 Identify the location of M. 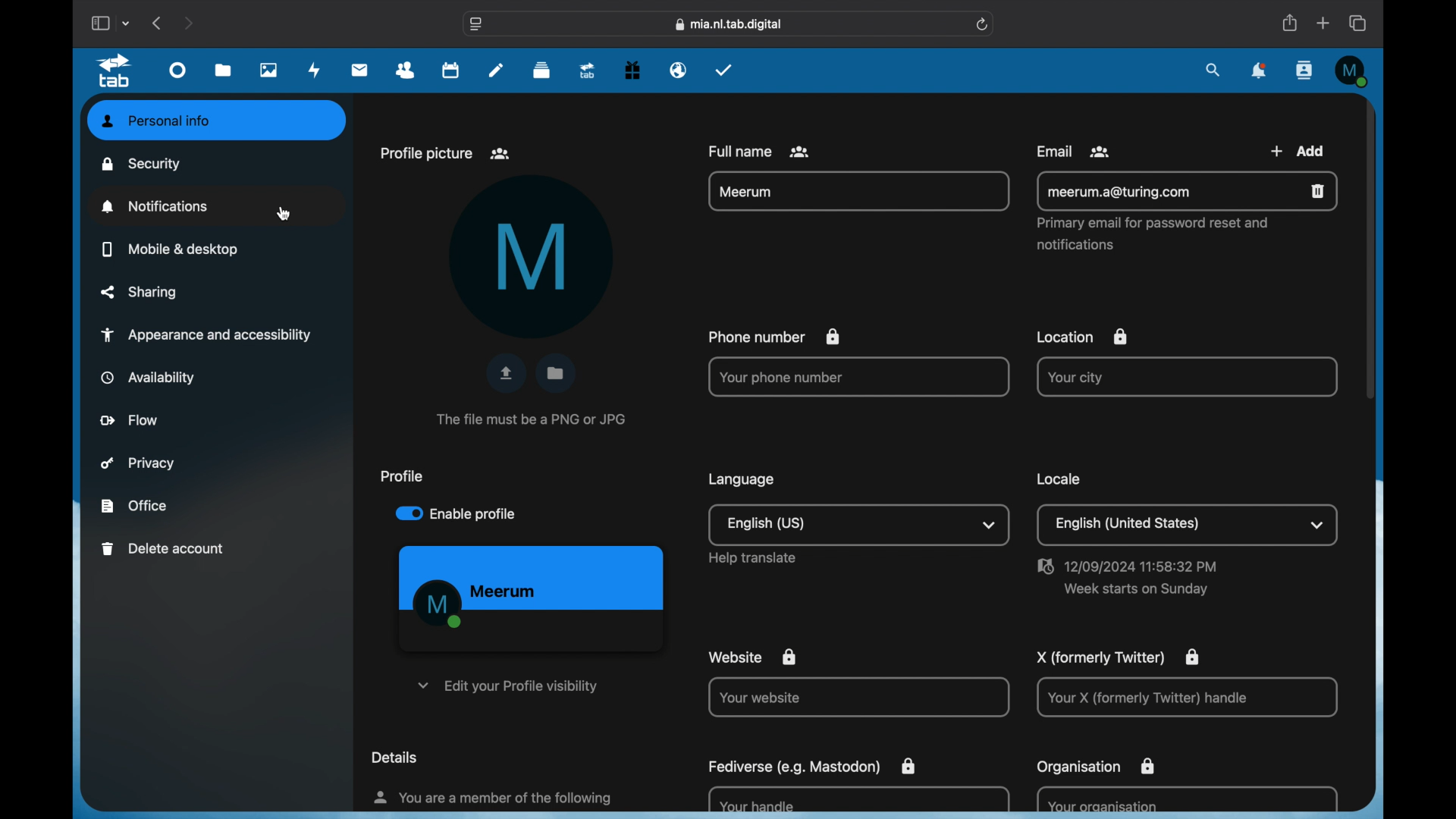
(531, 258).